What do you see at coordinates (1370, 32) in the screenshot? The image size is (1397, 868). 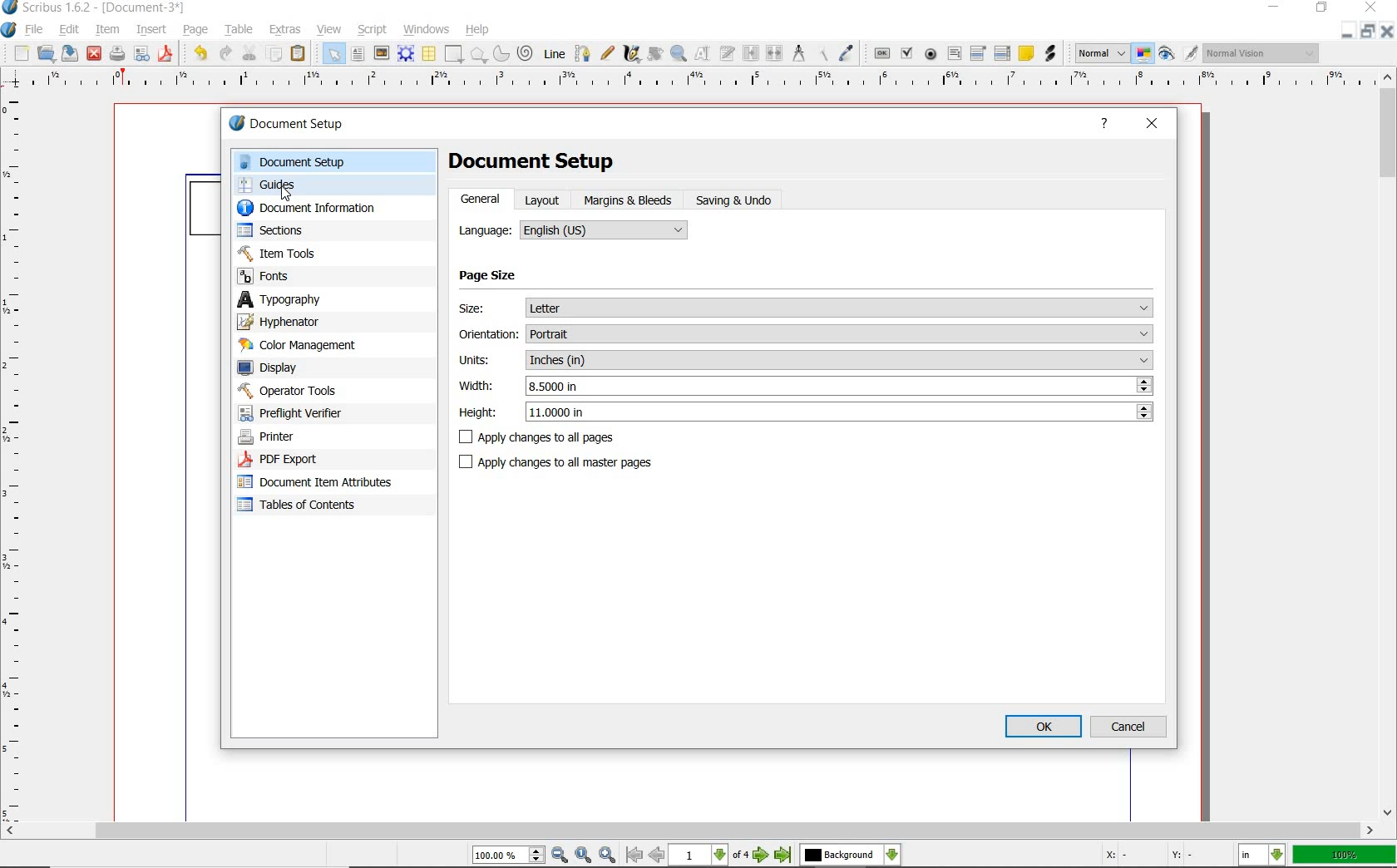 I see `restore` at bounding box center [1370, 32].